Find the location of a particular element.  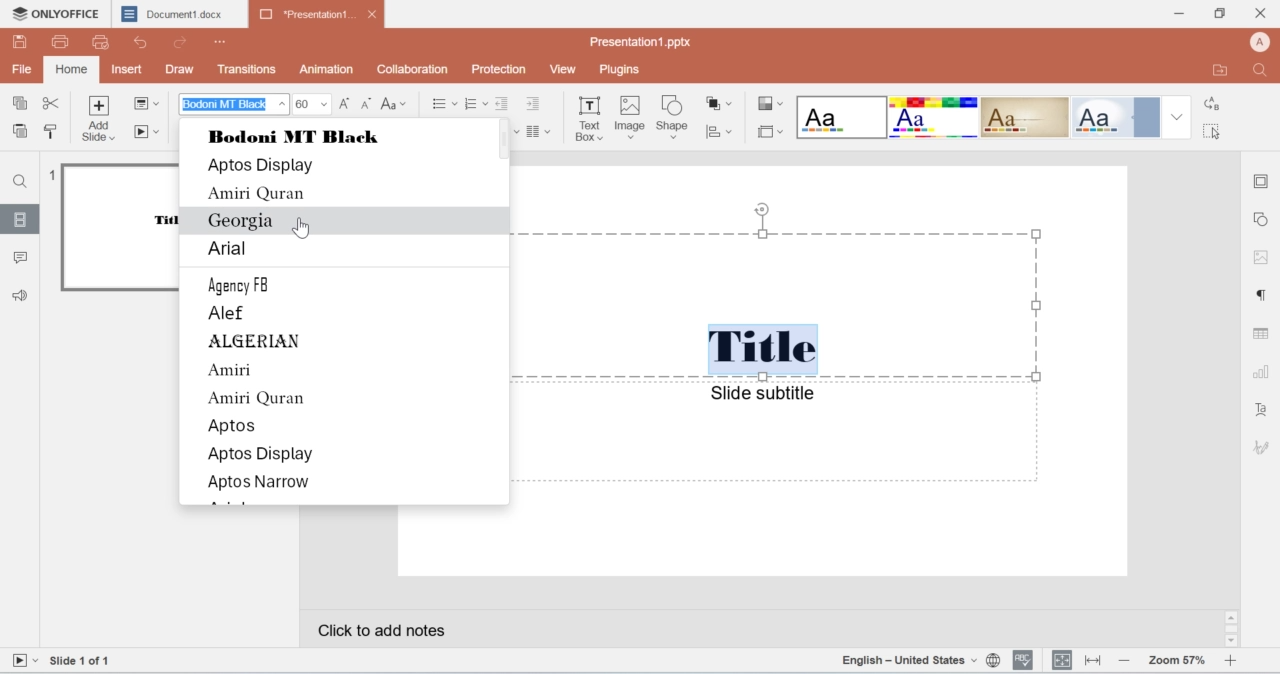

collaboration is located at coordinates (410, 69).